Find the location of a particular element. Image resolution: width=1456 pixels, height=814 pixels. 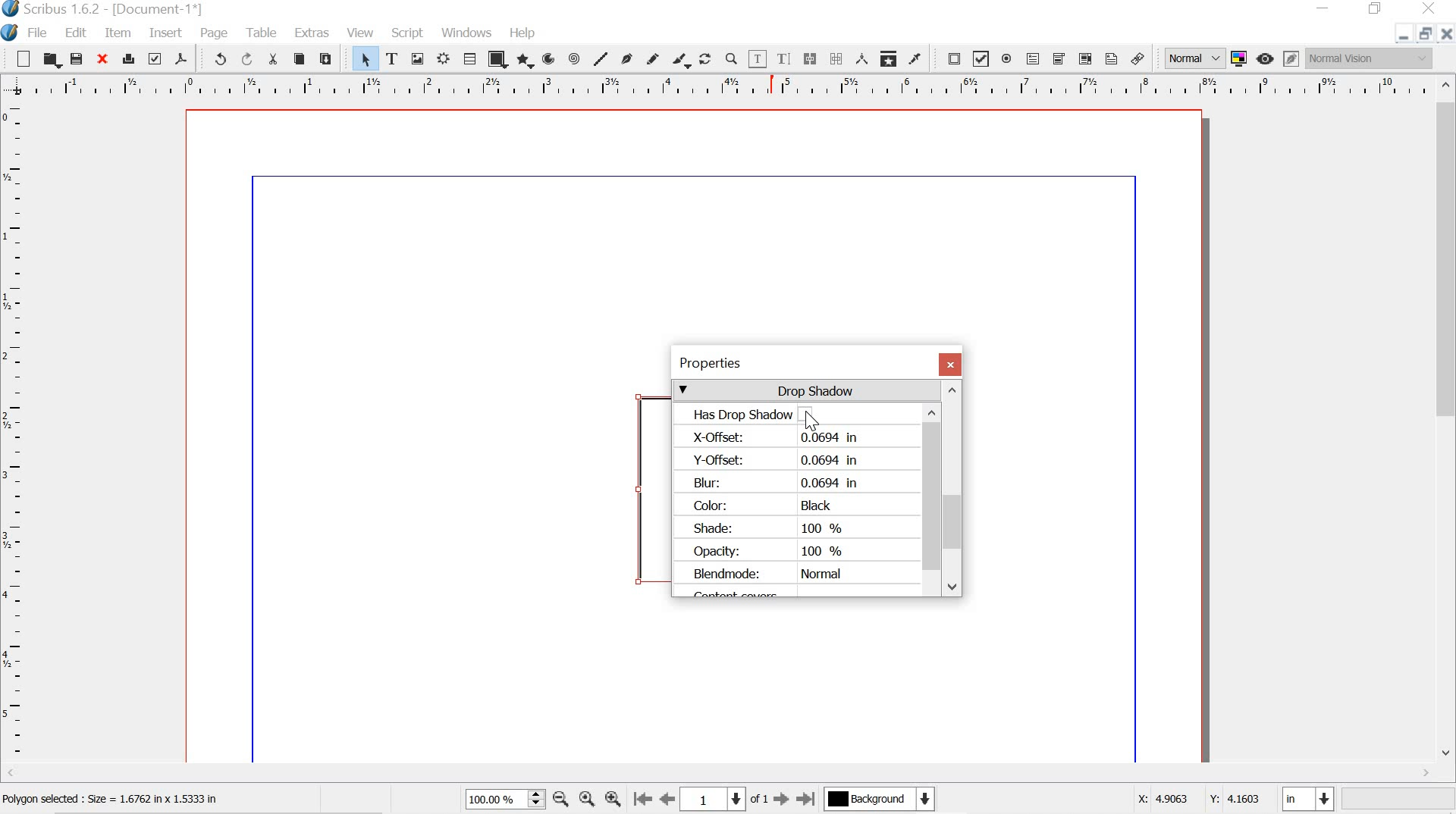

pdf combo box is located at coordinates (1056, 58).